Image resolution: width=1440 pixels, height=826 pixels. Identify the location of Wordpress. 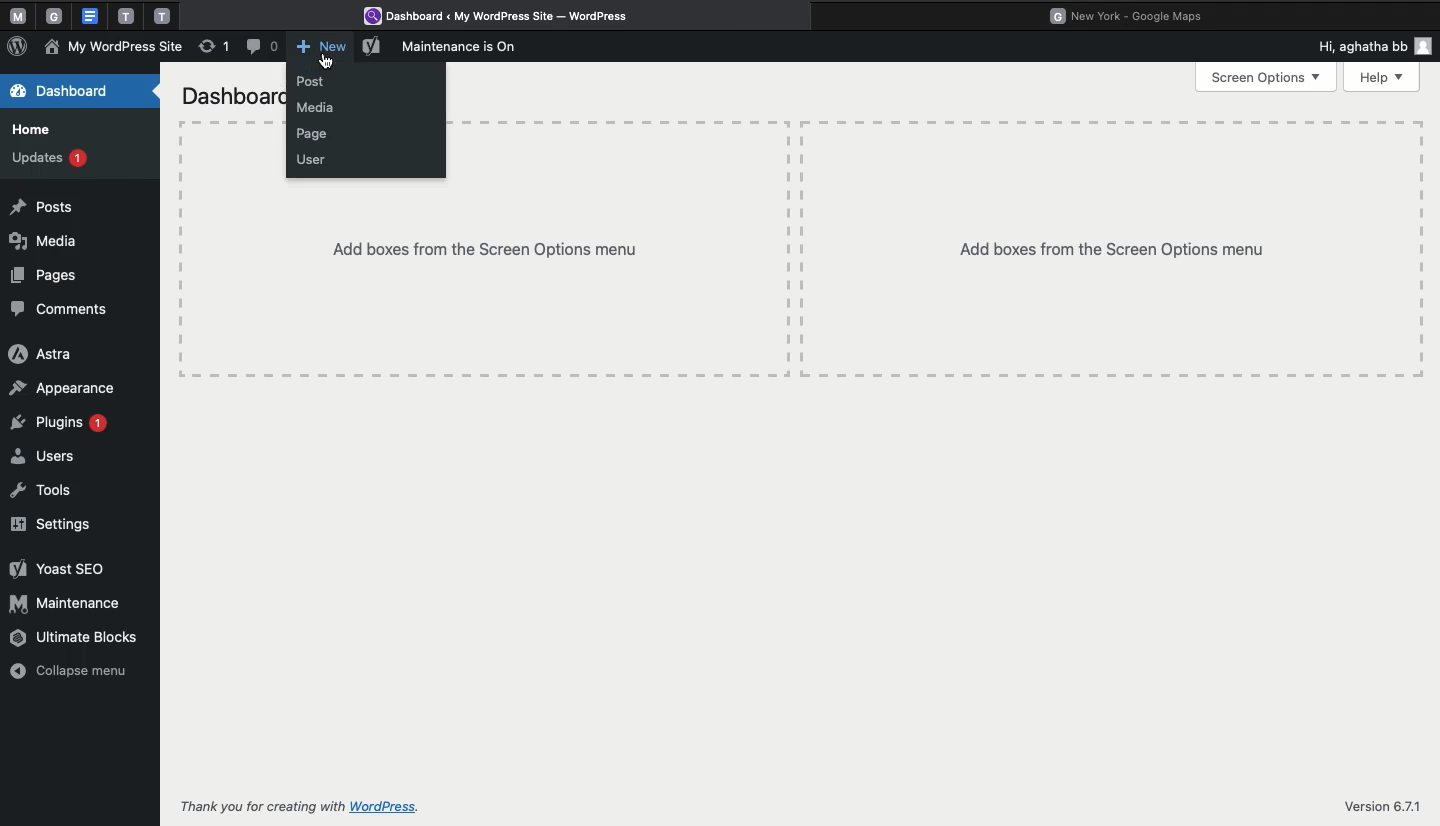
(504, 17).